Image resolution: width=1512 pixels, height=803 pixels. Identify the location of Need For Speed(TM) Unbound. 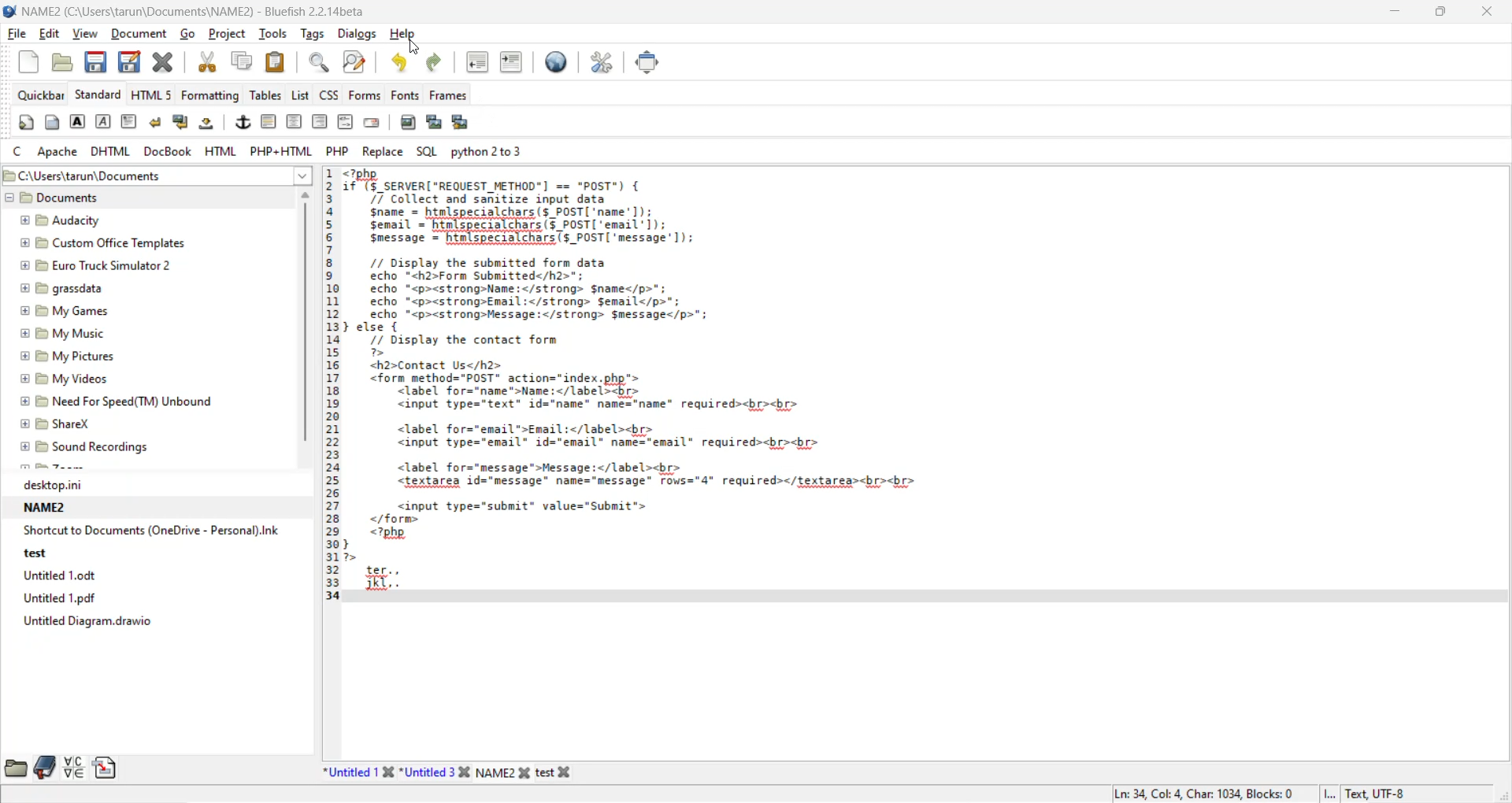
(110, 402).